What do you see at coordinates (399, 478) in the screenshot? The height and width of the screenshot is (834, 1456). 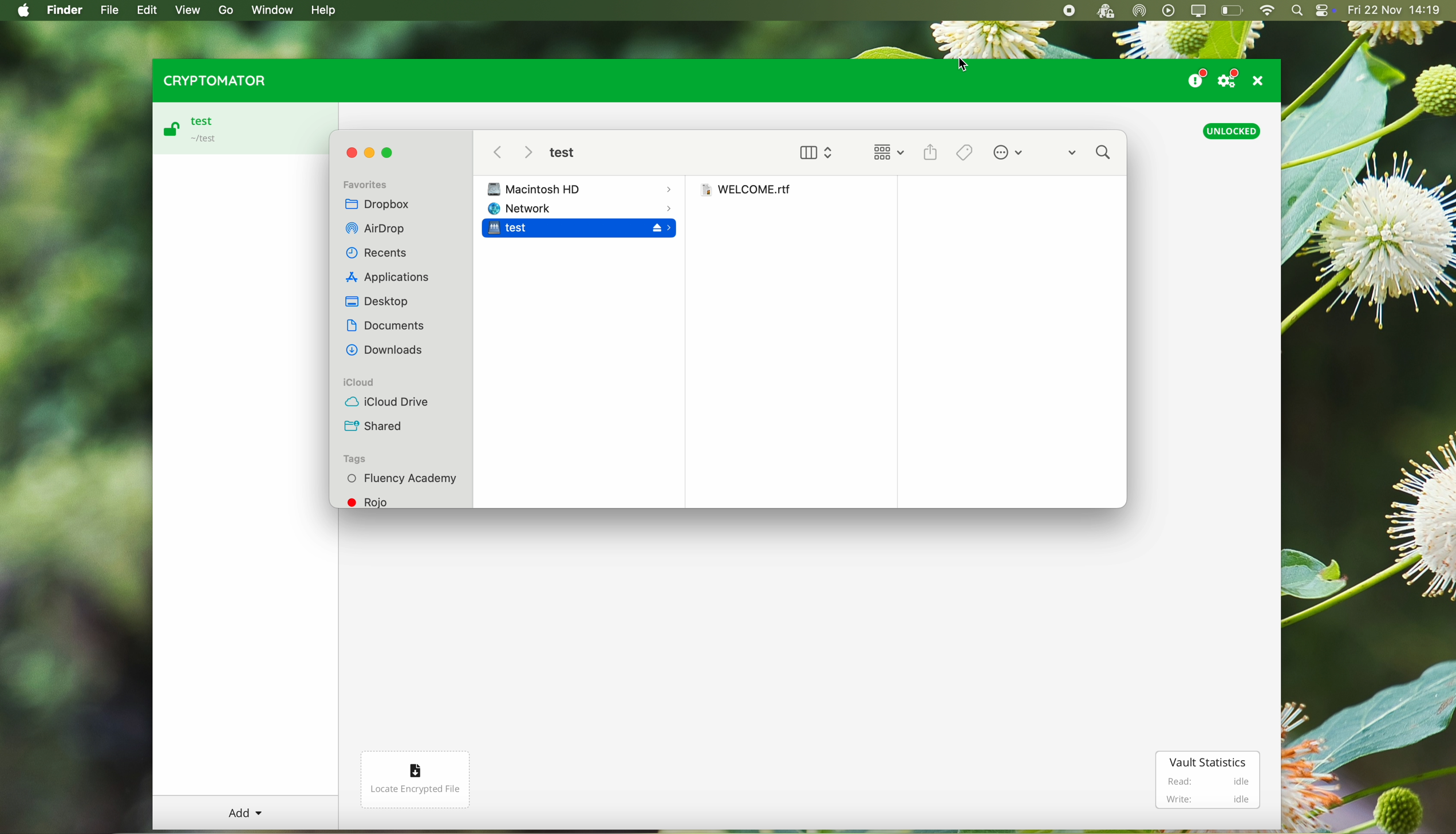 I see `Fluency Academy` at bounding box center [399, 478].